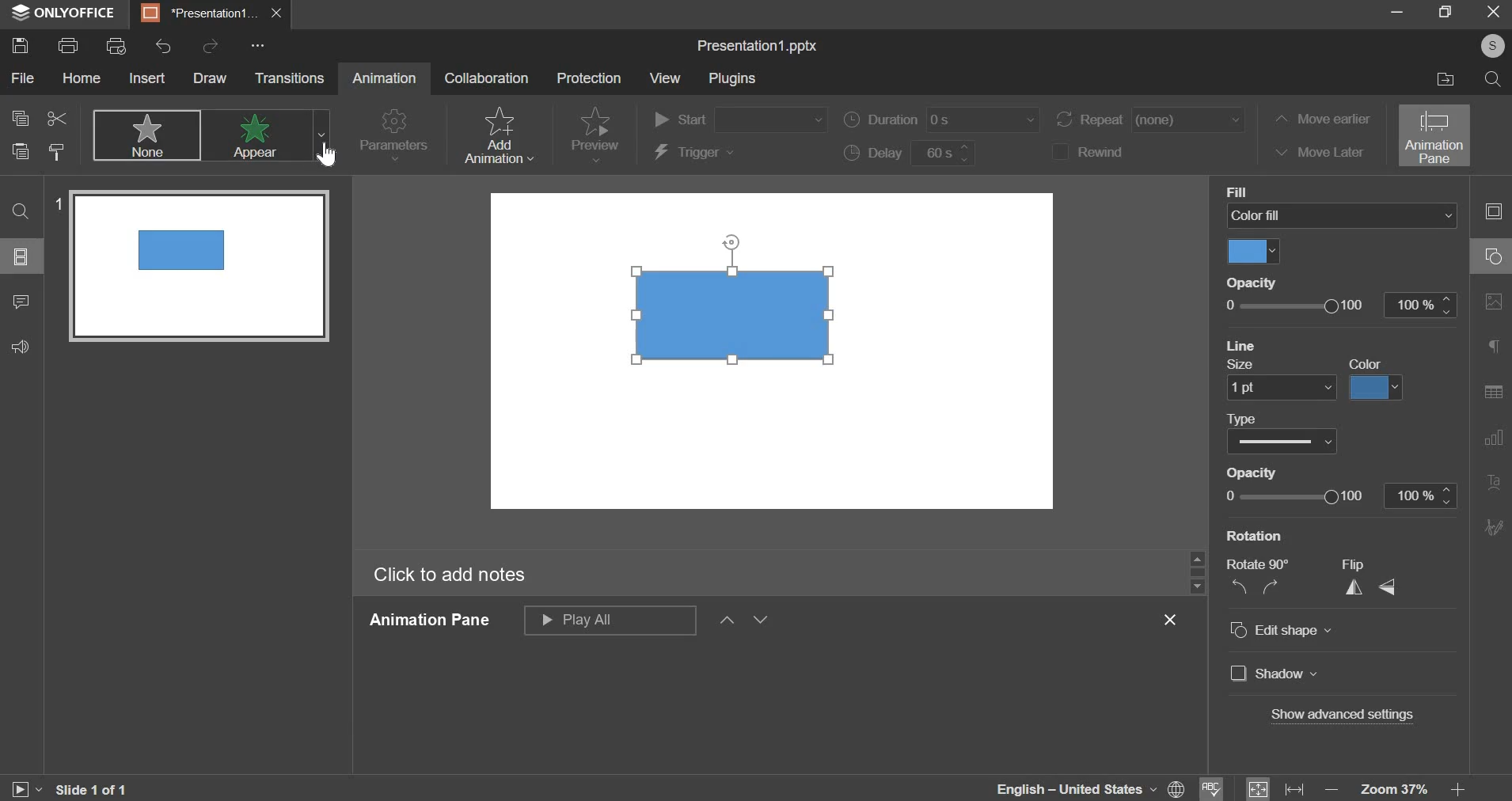 Image resolution: width=1512 pixels, height=801 pixels. What do you see at coordinates (1273, 674) in the screenshot?
I see `shadow` at bounding box center [1273, 674].